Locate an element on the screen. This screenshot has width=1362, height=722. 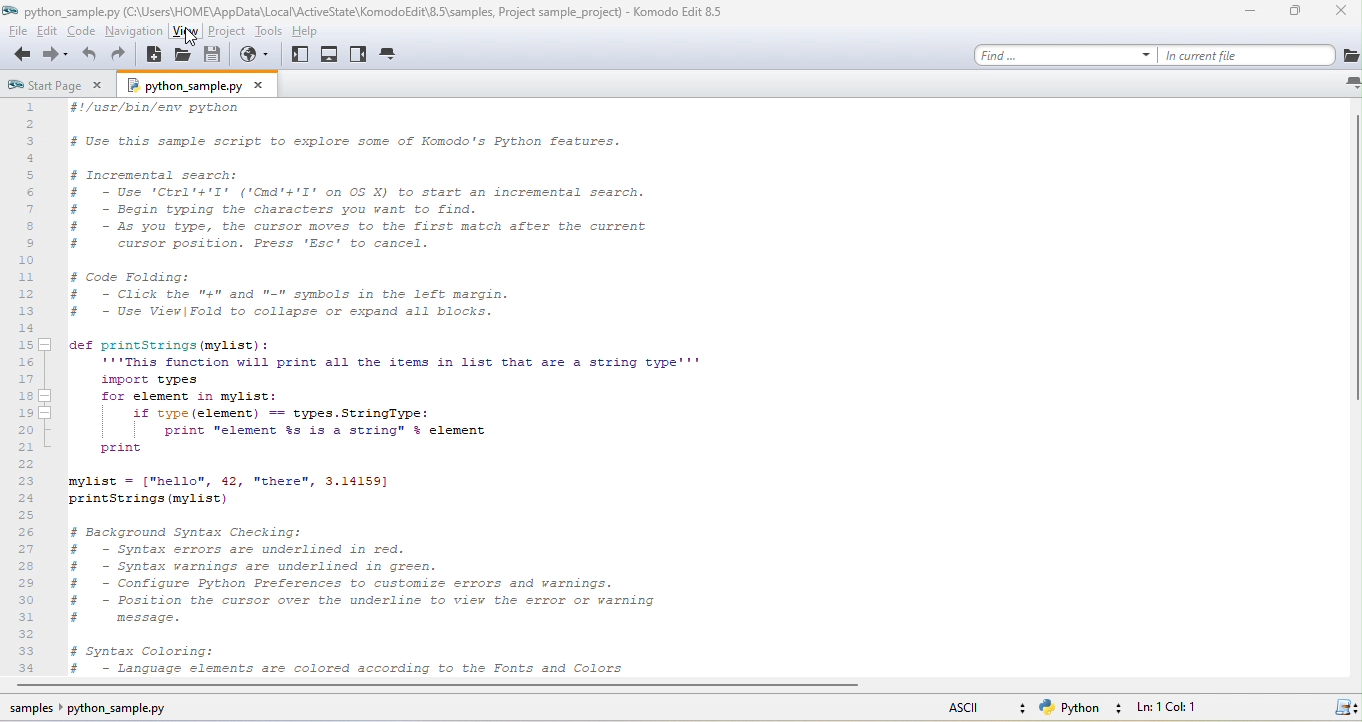
forward is located at coordinates (56, 58).